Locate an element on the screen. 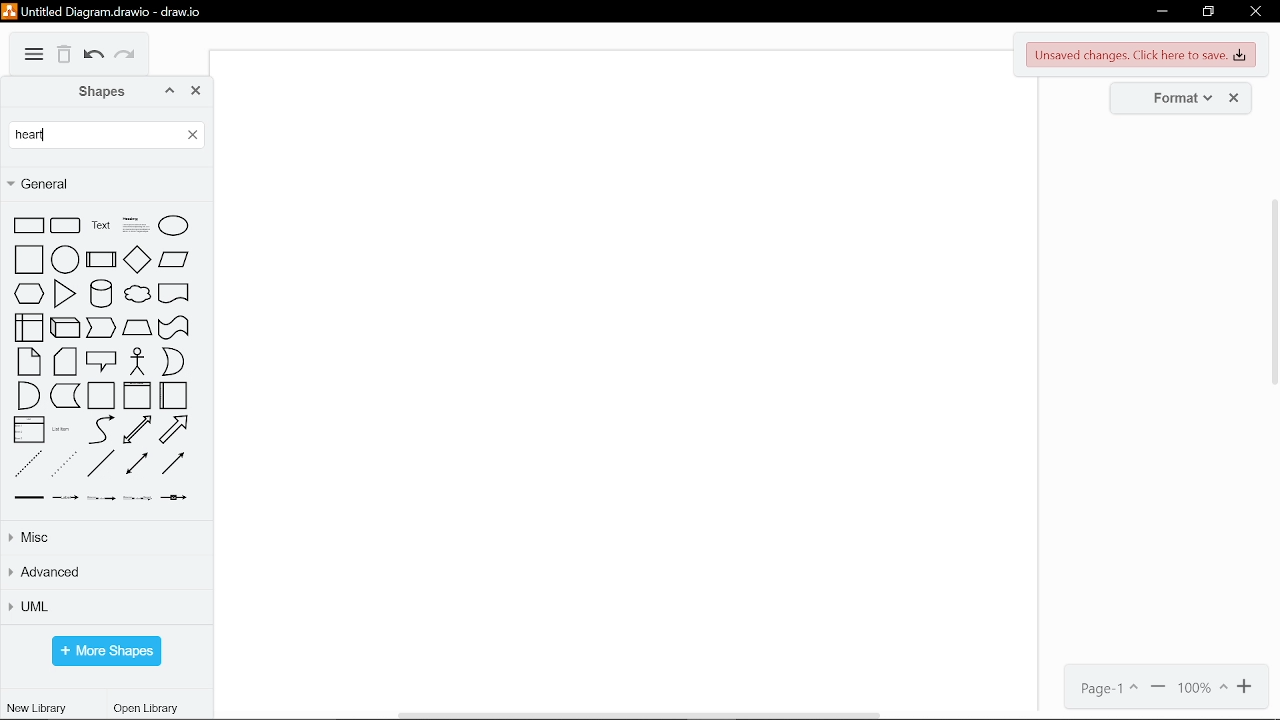 This screenshot has width=1280, height=720. rectangle is located at coordinates (28, 226).